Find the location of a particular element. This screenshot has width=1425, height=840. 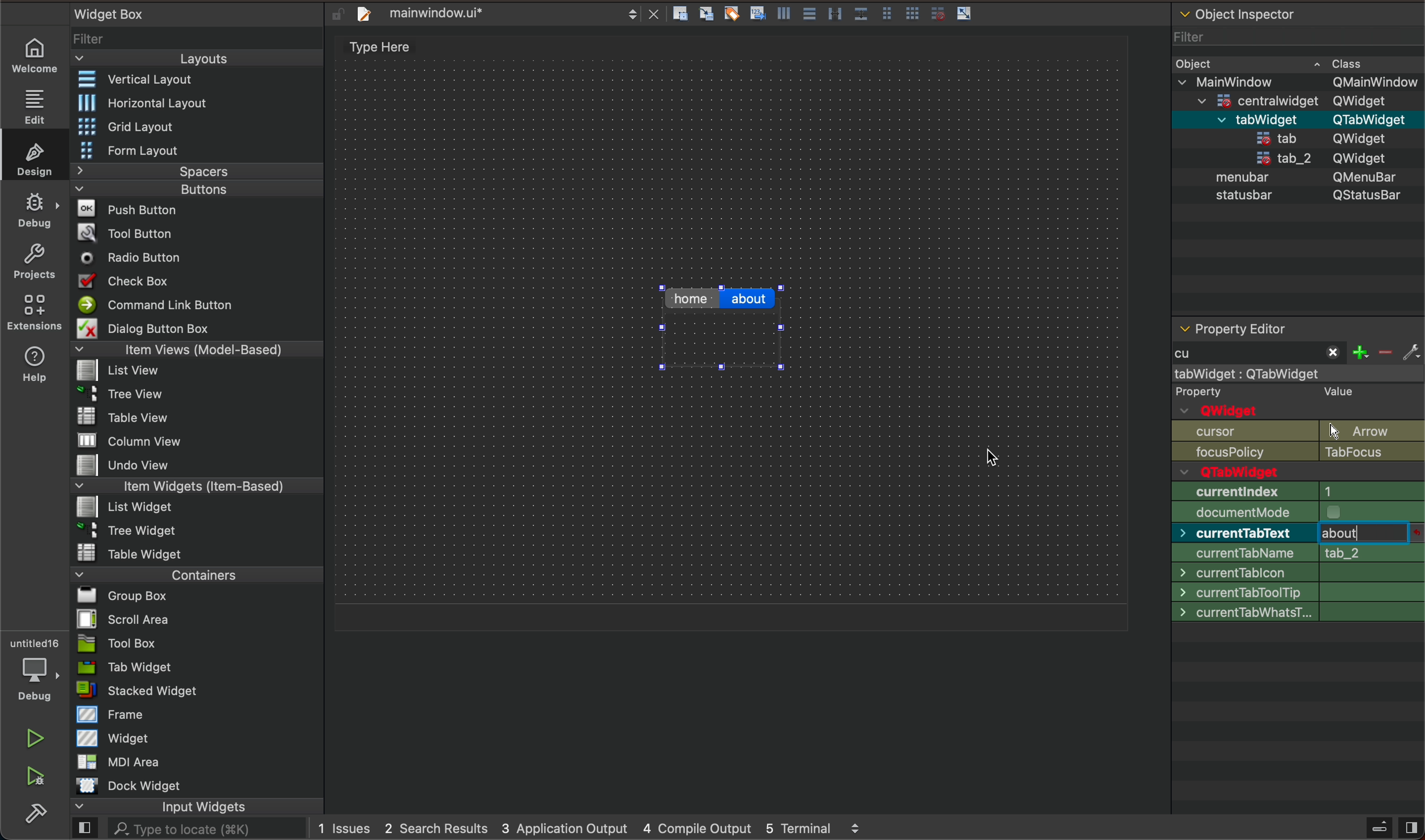

file tab is located at coordinates (502, 14).